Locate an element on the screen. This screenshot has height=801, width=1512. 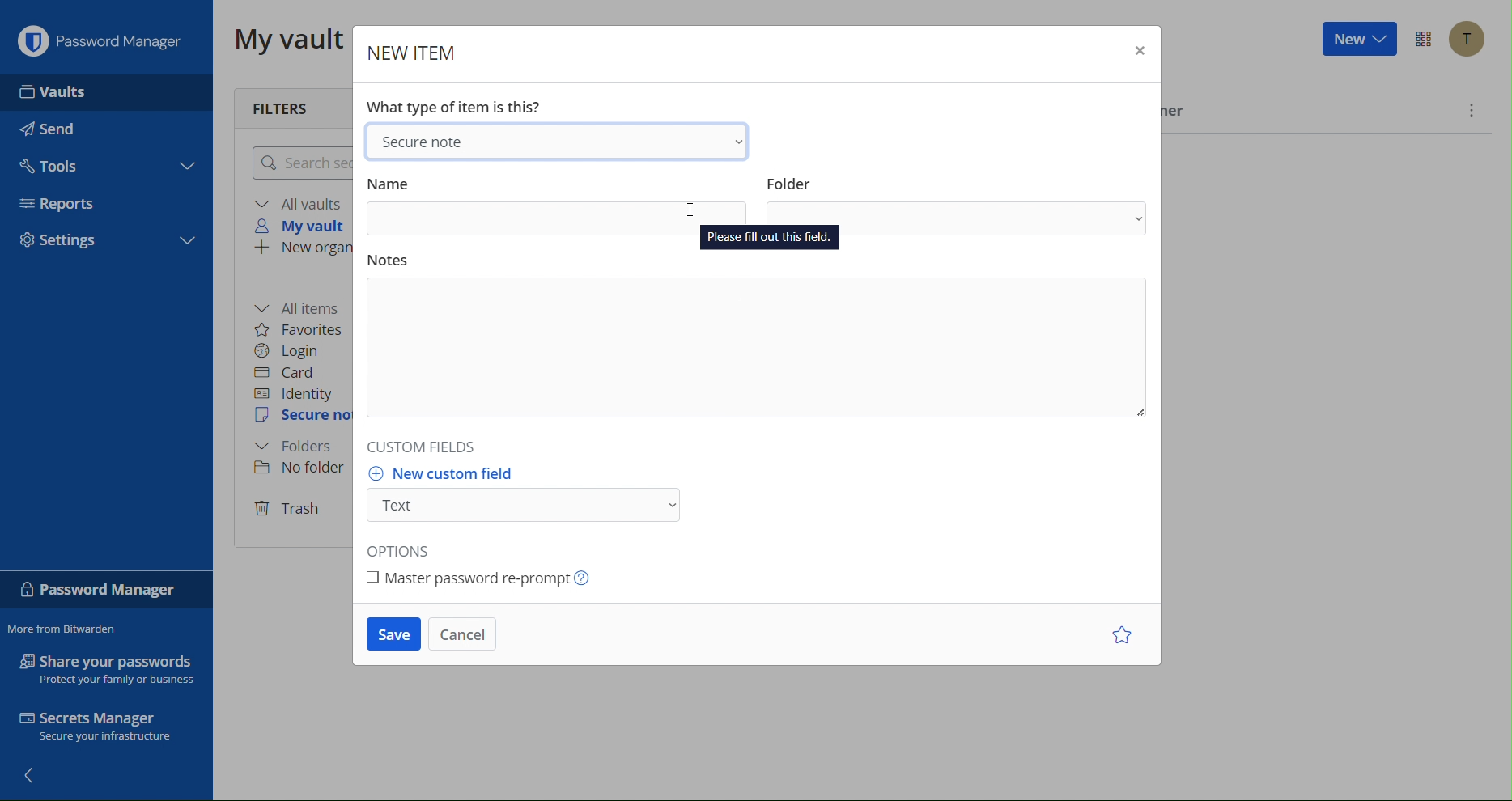
Reports is located at coordinates (63, 204).